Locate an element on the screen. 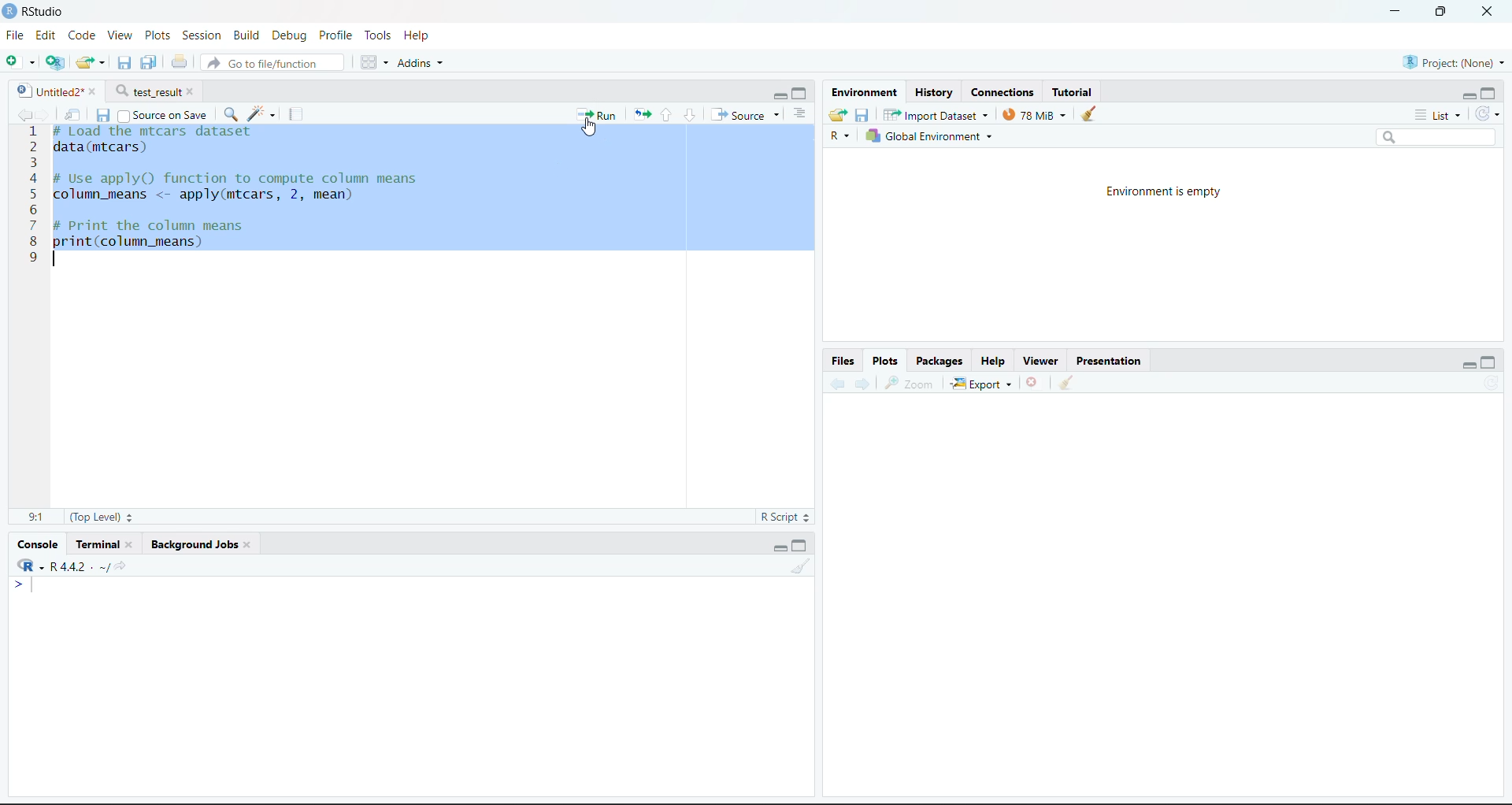 The image size is (1512, 805). Go to previous section/chunk (Ctrl + PgUp) is located at coordinates (669, 117).